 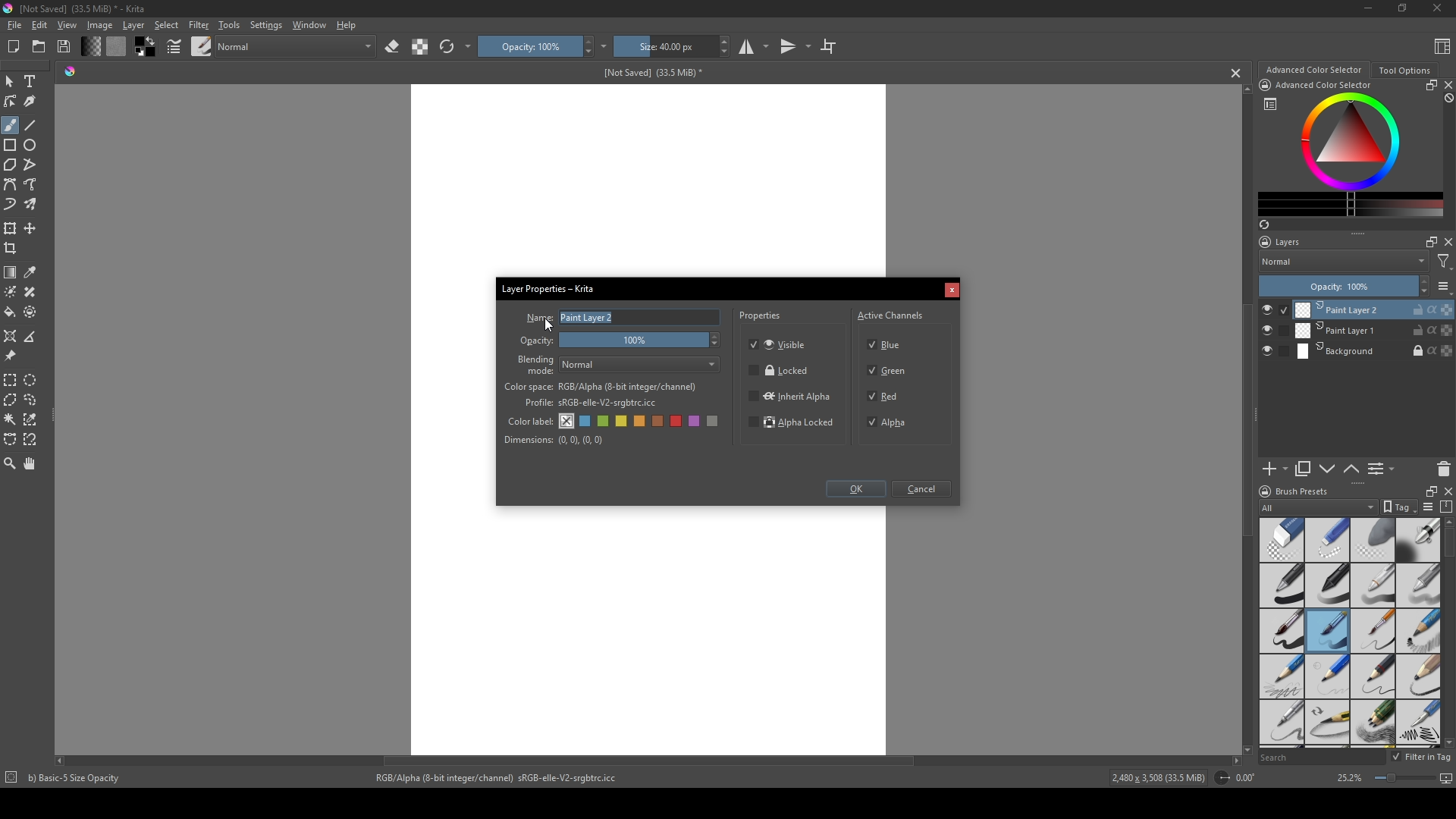 What do you see at coordinates (1410, 780) in the screenshot?
I see `screen size` at bounding box center [1410, 780].